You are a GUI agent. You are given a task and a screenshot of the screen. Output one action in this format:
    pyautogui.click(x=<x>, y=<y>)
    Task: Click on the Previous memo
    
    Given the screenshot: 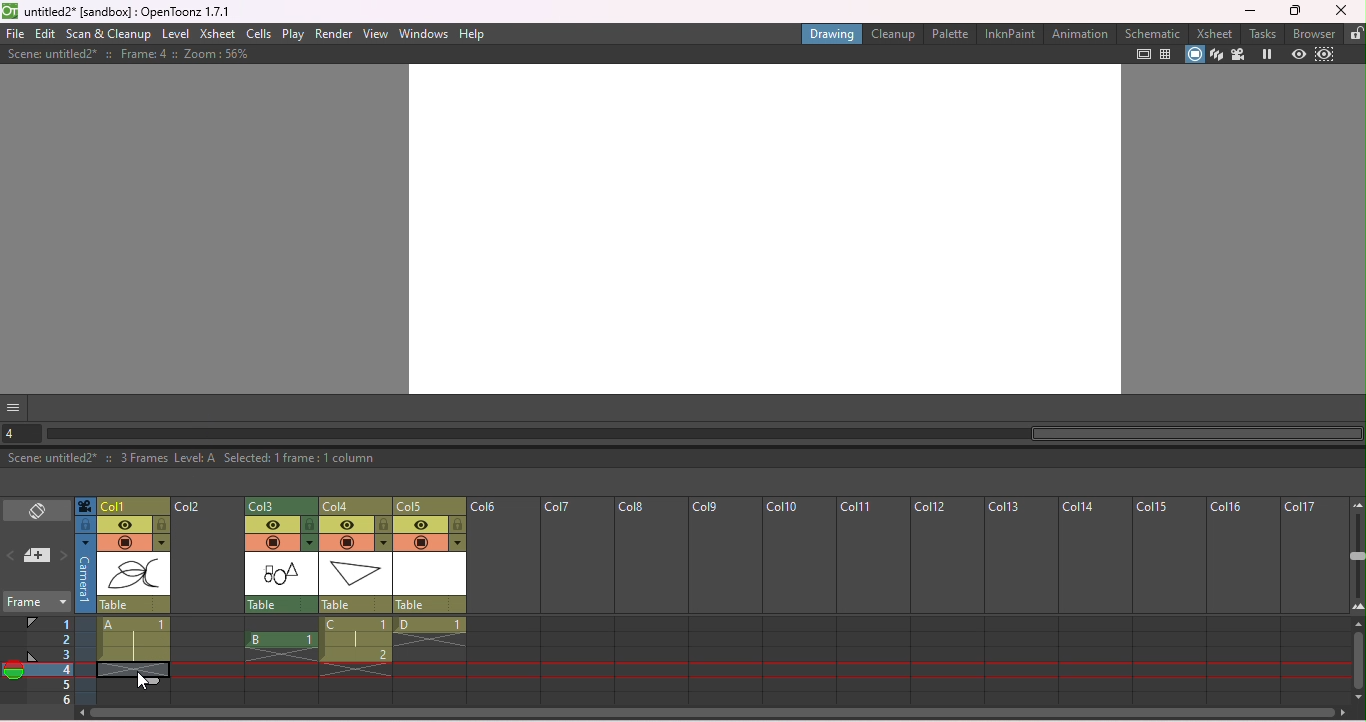 What is the action you would take?
    pyautogui.click(x=12, y=558)
    